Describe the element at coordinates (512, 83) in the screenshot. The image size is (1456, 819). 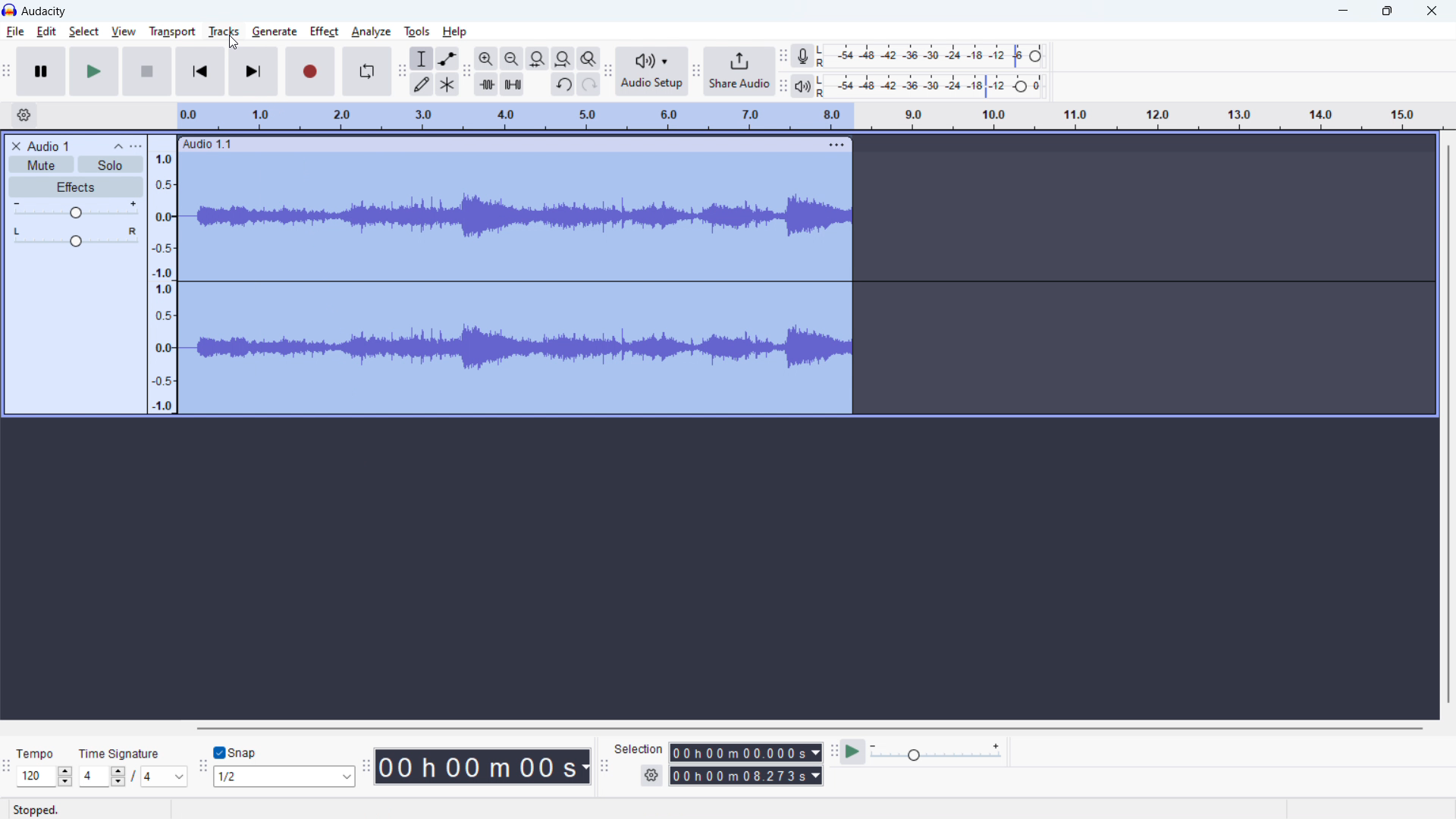
I see `silence audio selection` at that location.